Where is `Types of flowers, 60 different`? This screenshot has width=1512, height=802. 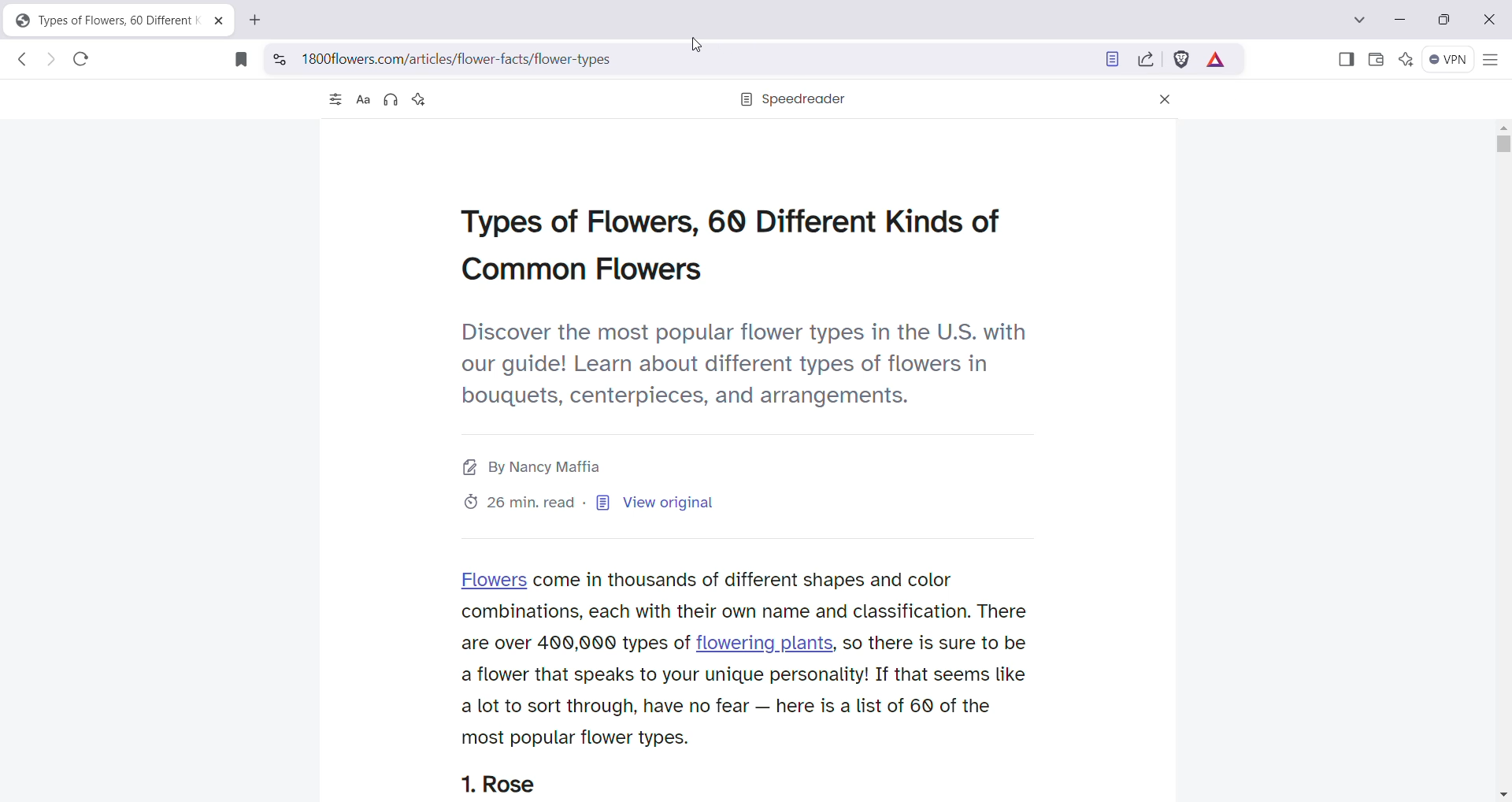 Types of flowers, 60 different is located at coordinates (100, 20).